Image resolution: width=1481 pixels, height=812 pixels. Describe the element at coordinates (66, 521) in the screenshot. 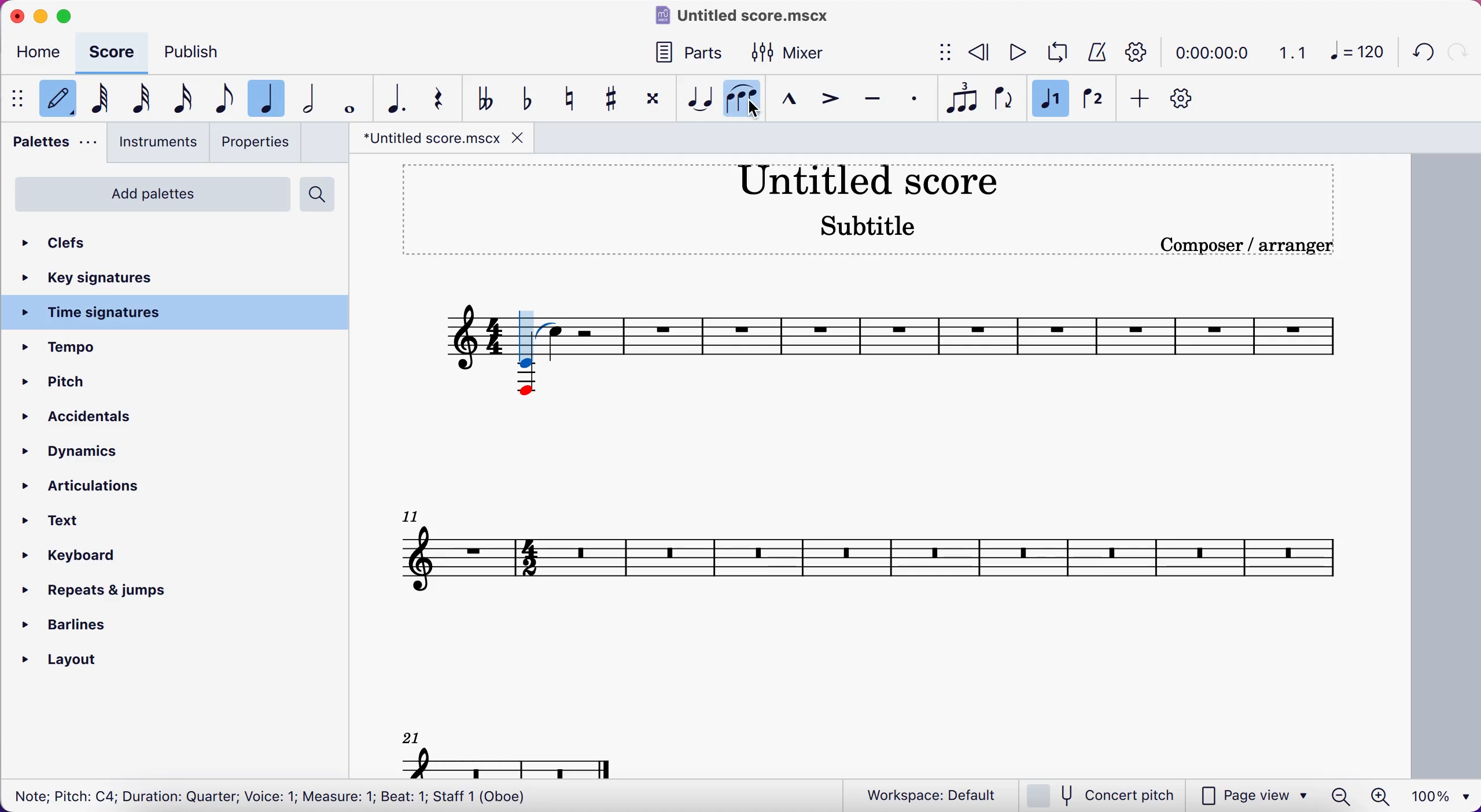

I see `text` at that location.